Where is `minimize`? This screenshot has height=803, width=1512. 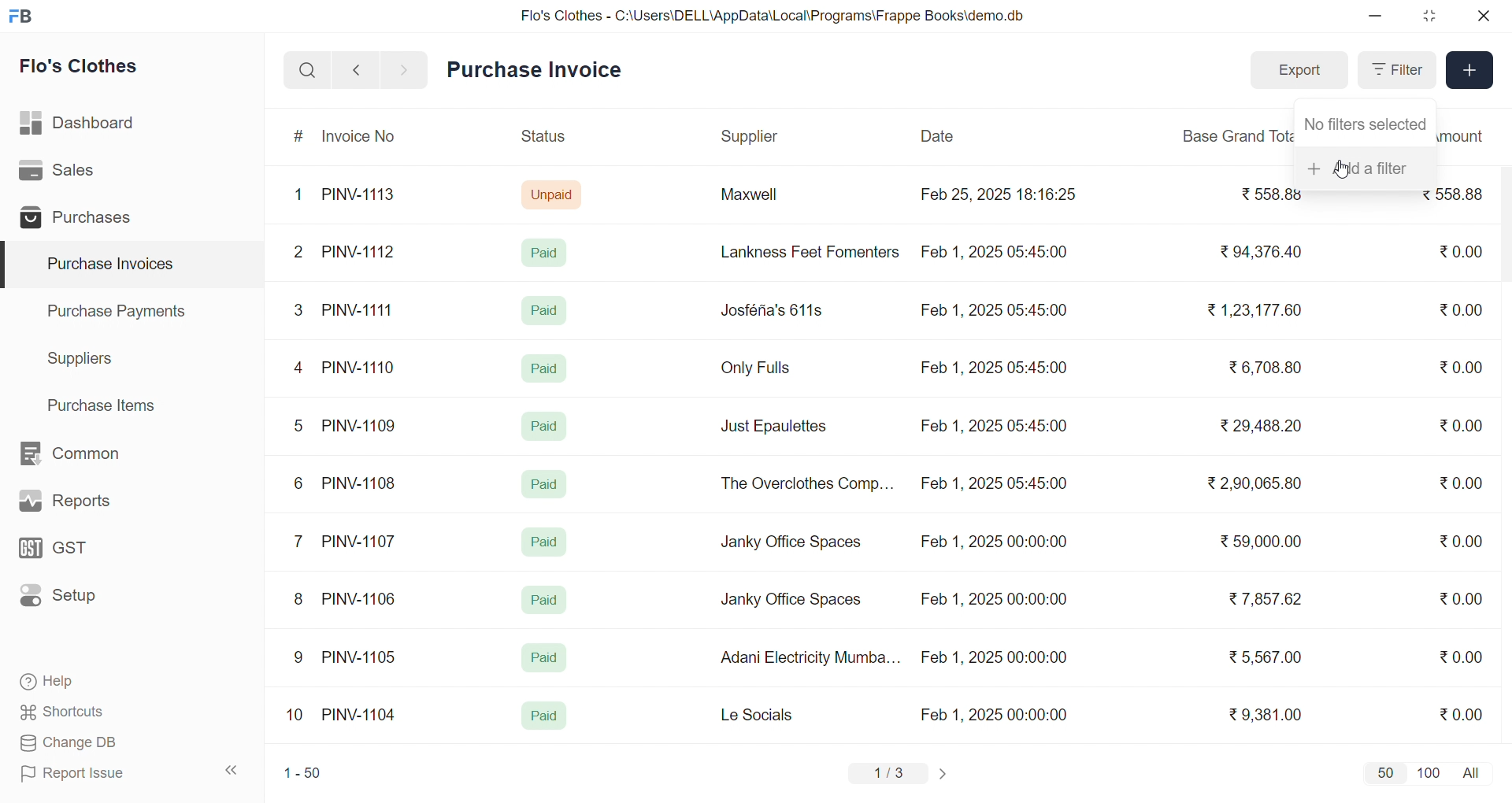 minimize is located at coordinates (1377, 17).